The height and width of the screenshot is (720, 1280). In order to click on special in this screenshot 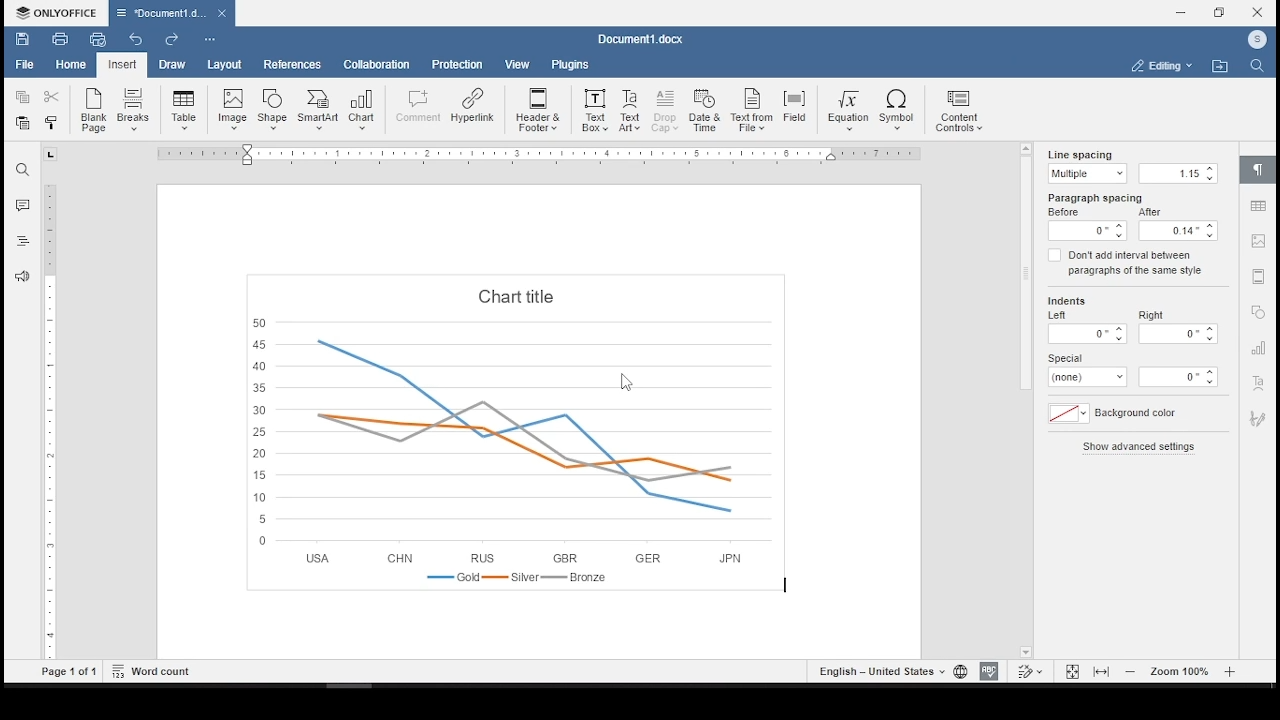, I will do `click(1063, 358)`.